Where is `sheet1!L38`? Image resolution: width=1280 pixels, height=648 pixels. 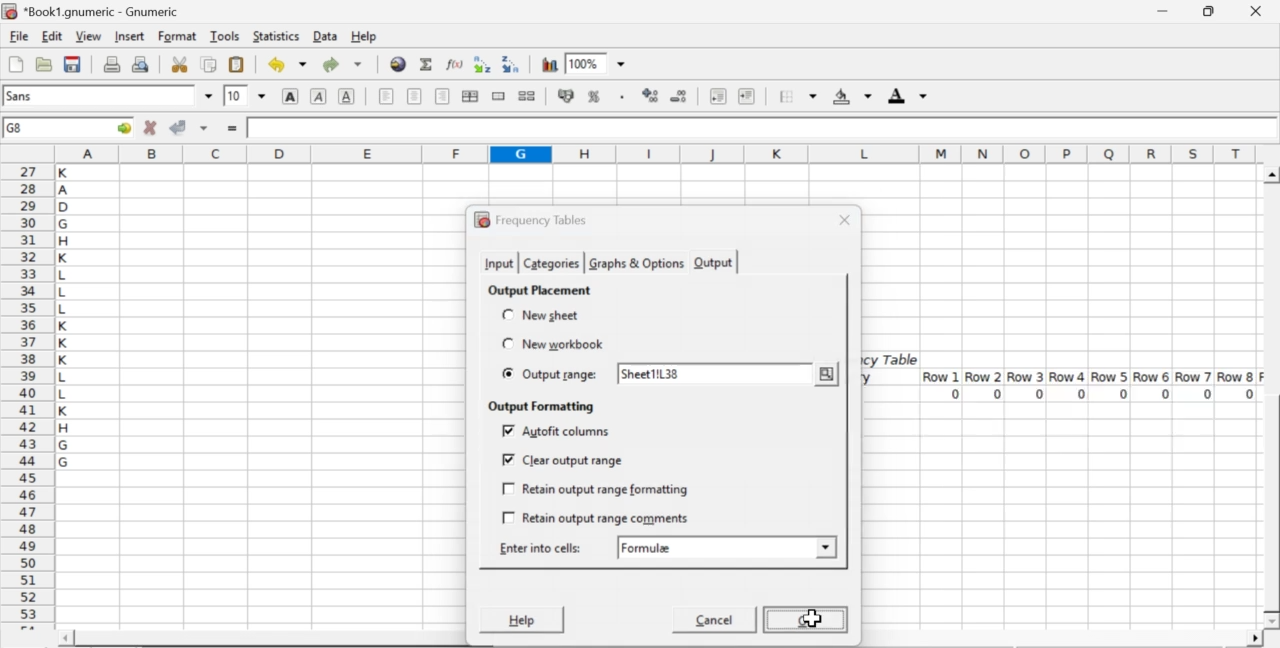
sheet1!L38 is located at coordinates (650, 373).